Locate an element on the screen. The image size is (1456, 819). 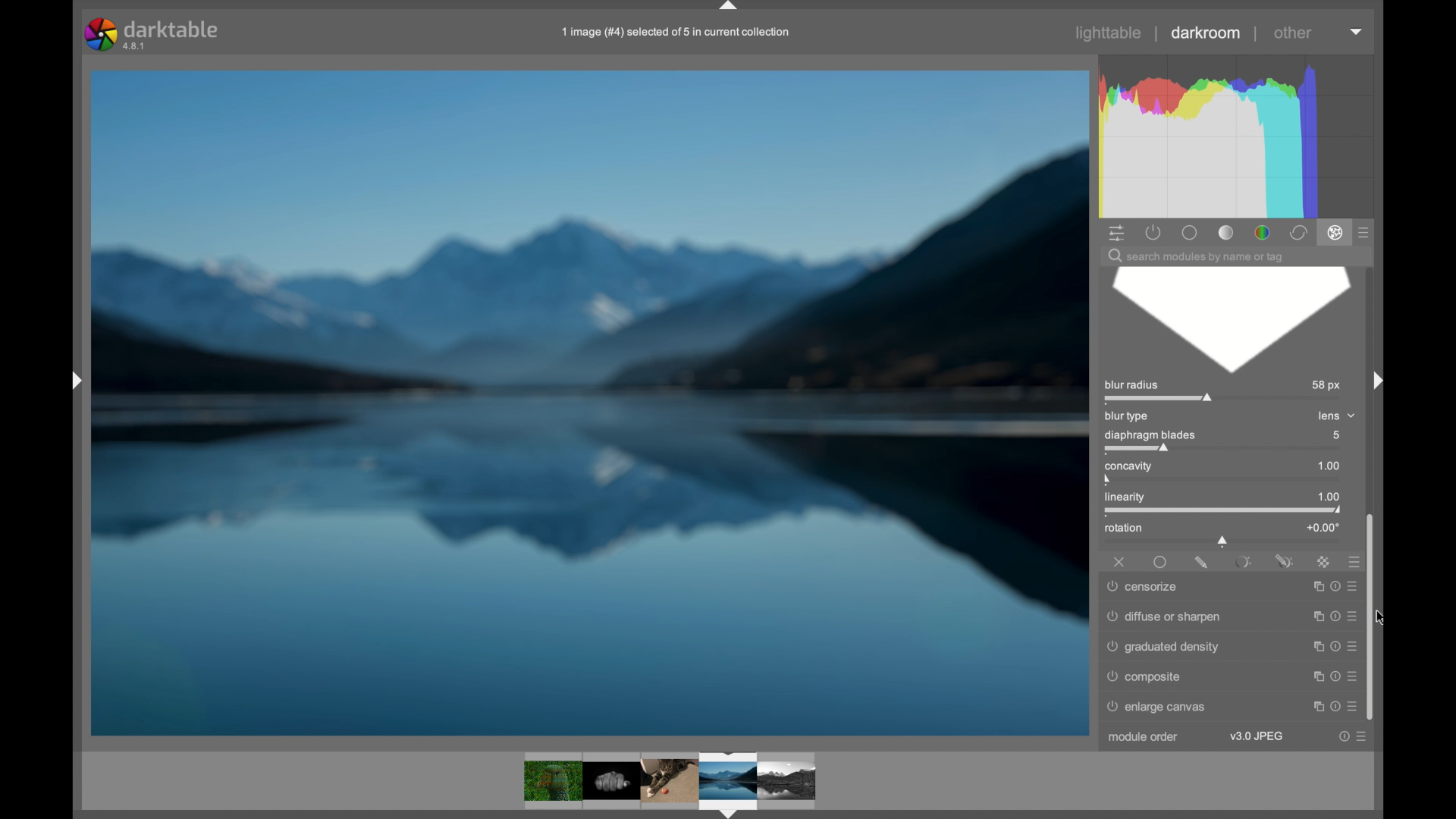
help is located at coordinates (1333, 613).